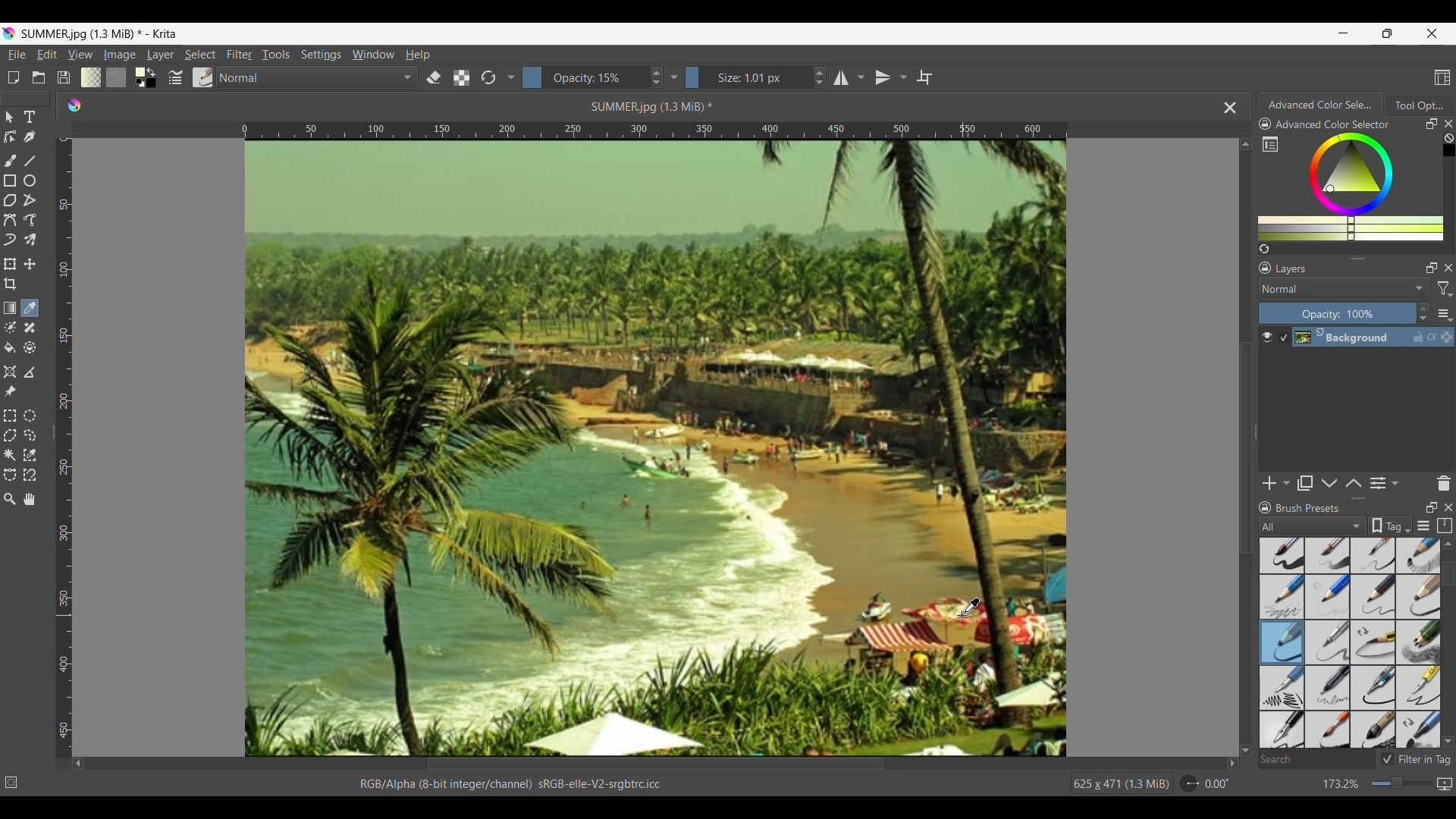 The width and height of the screenshot is (1456, 819). Describe the element at coordinates (1360, 187) in the screenshot. I see `Color range` at that location.